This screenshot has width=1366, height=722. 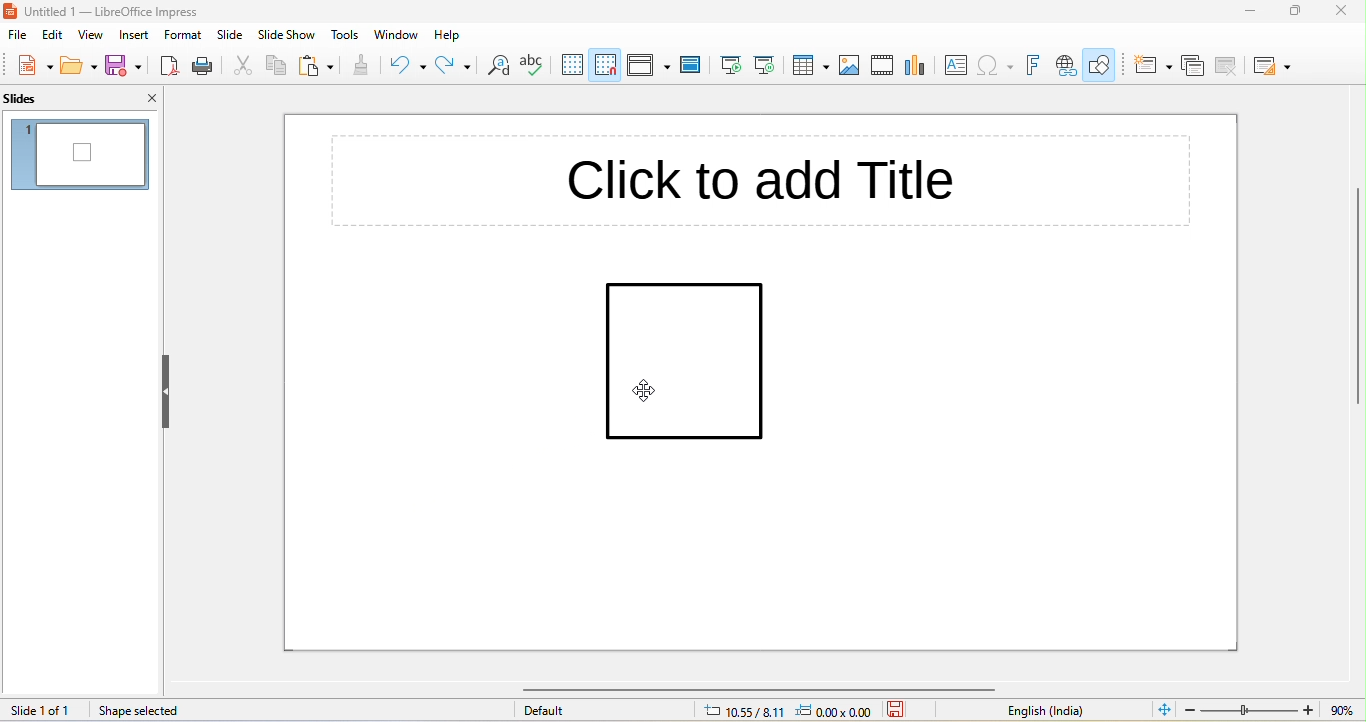 I want to click on maximize, so click(x=1296, y=12).